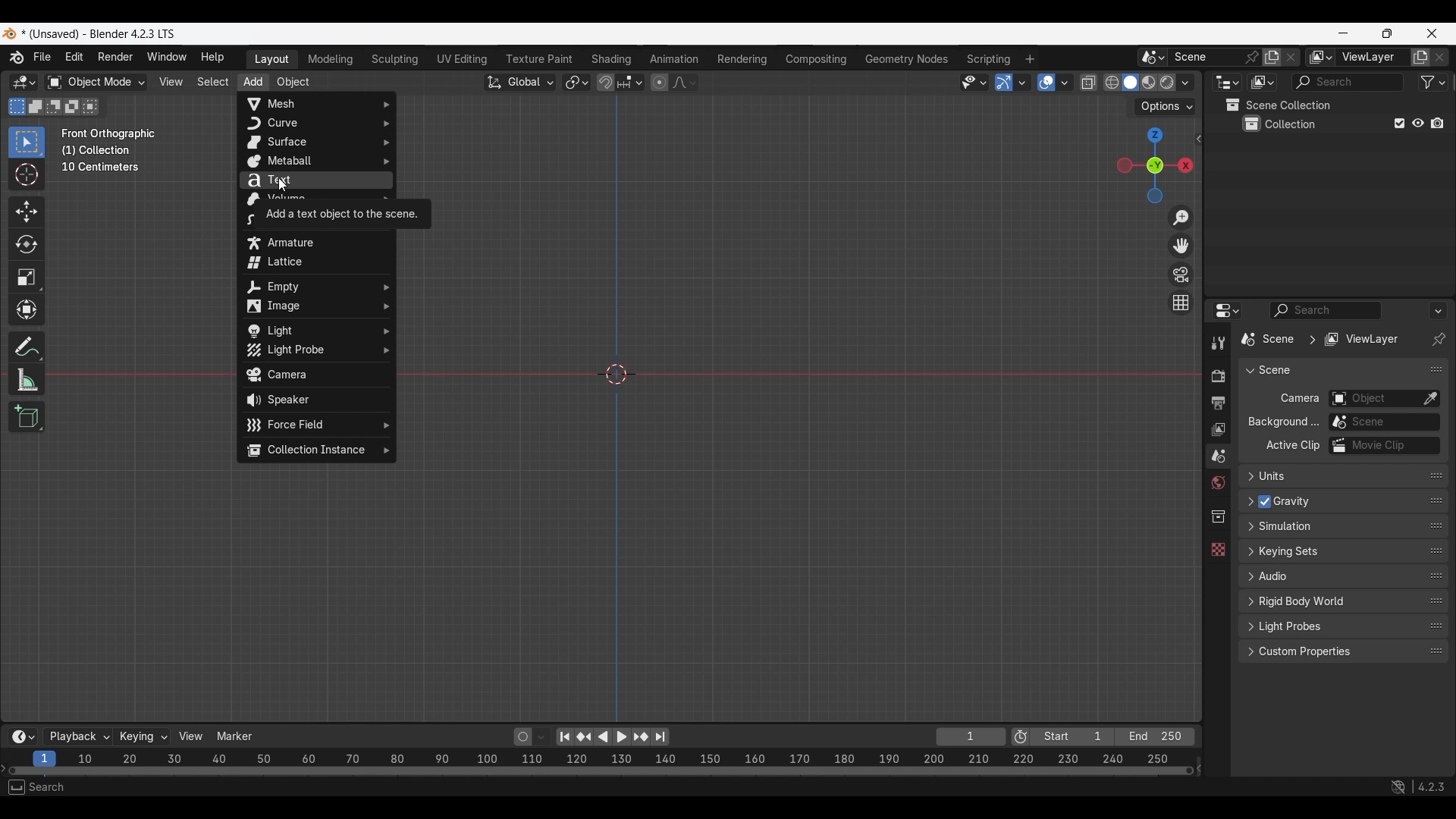  I want to click on Frames timeline slider, so click(600, 772).